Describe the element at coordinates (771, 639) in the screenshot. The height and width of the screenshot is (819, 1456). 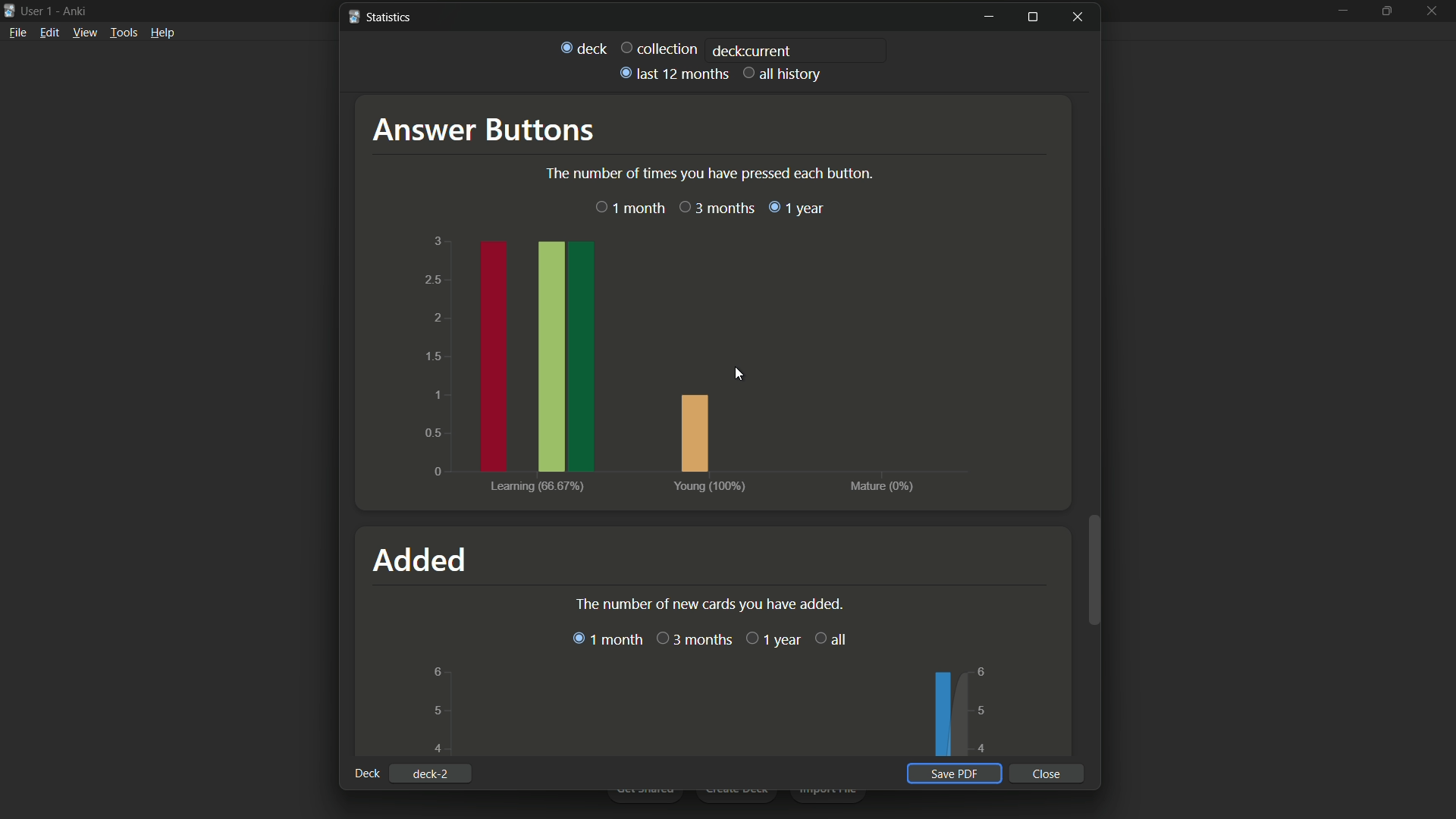
I see `1 year` at that location.